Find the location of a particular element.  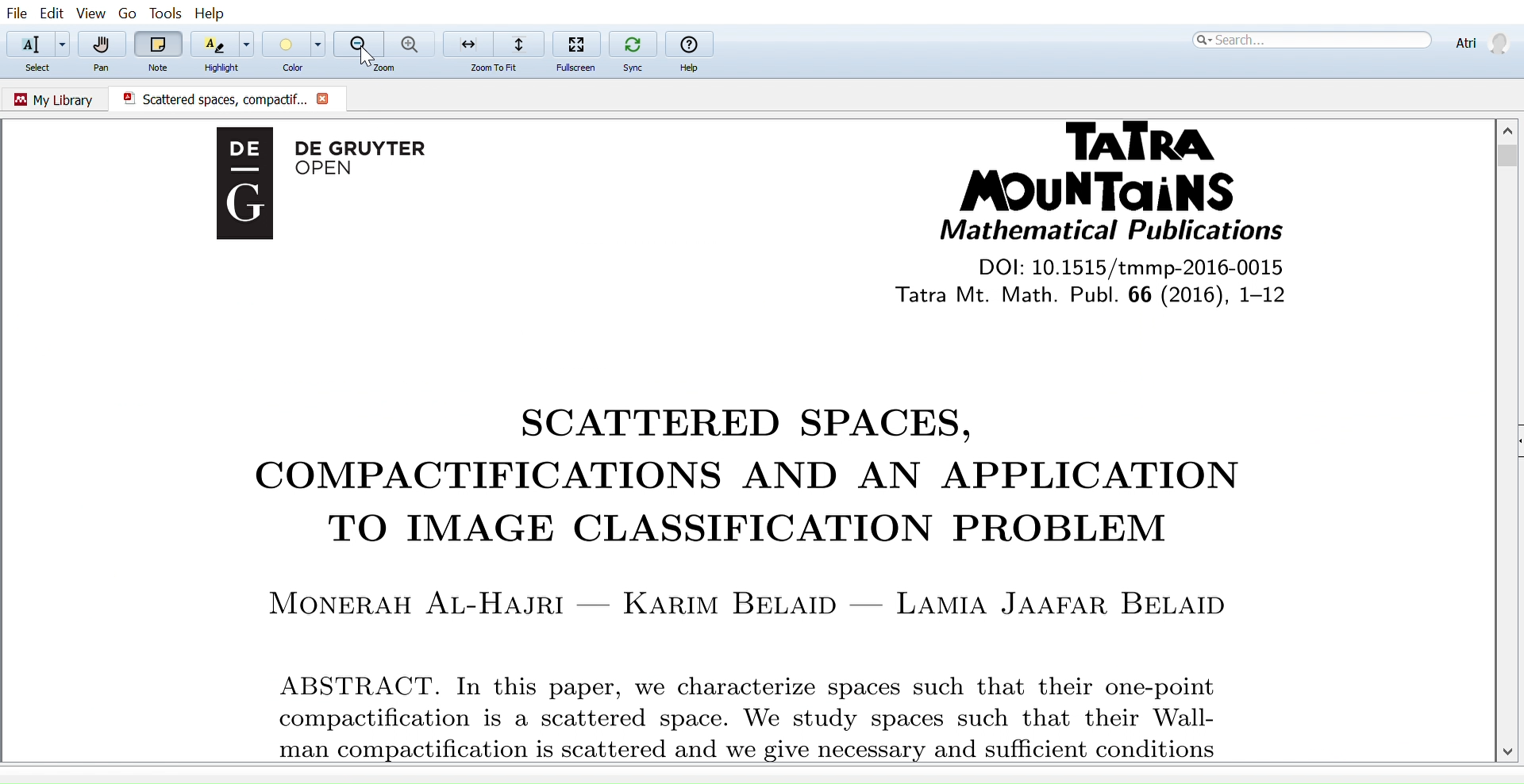

Highlight is located at coordinates (222, 67).